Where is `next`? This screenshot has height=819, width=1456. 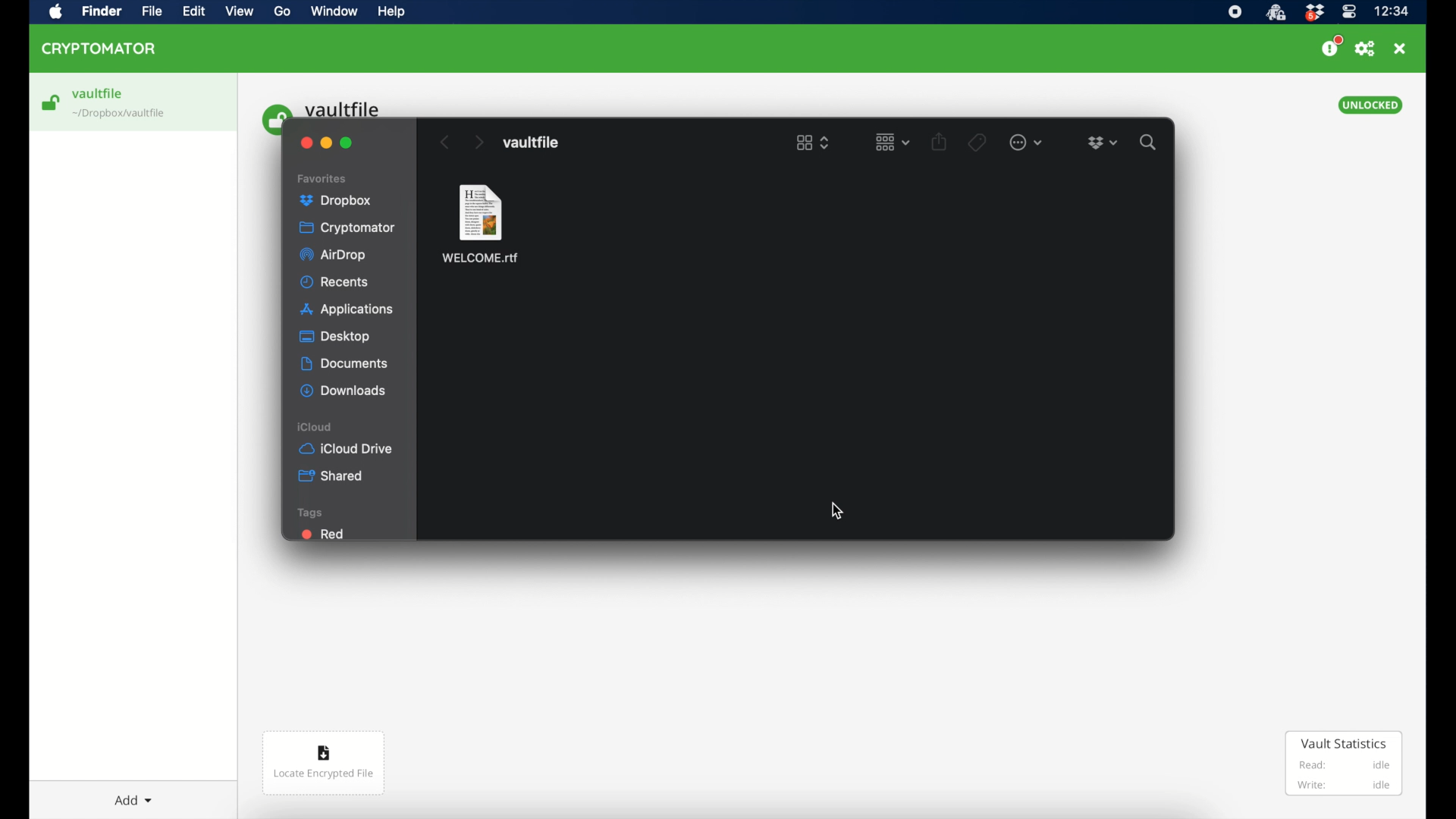 next is located at coordinates (478, 141).